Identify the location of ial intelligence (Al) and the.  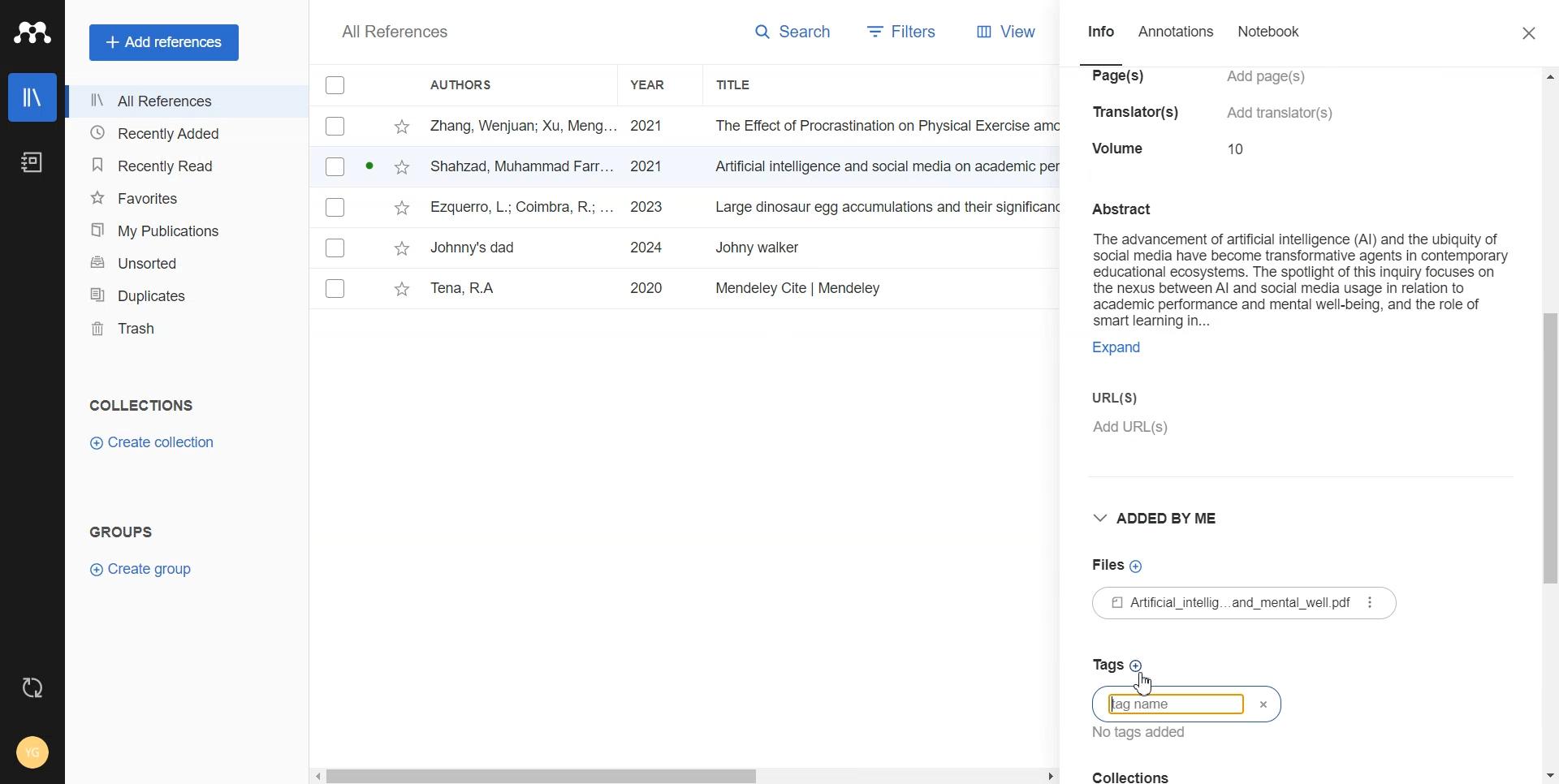
(1212, 114).